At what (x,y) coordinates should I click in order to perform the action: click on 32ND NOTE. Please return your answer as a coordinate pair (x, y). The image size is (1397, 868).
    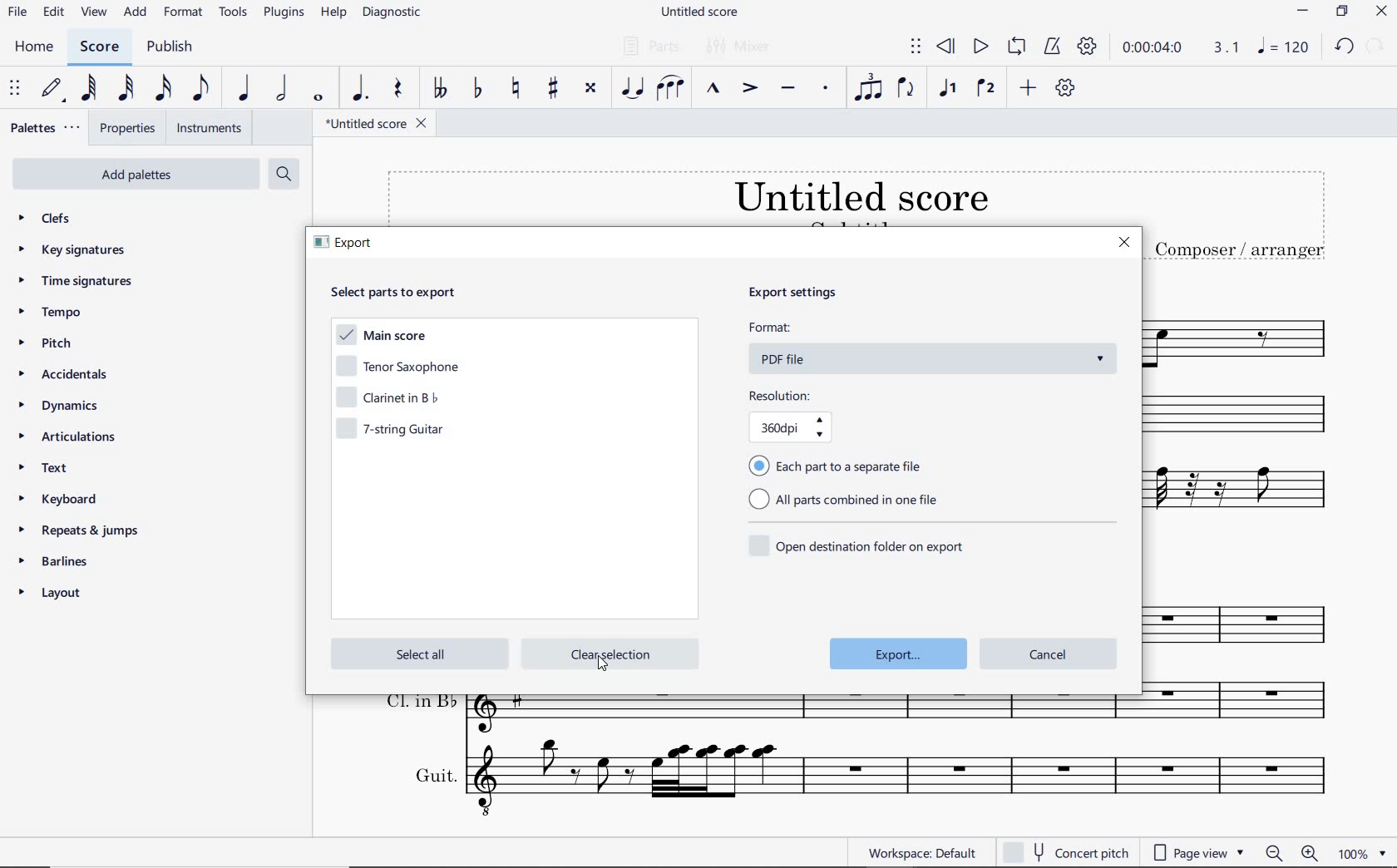
    Looking at the image, I should click on (126, 89).